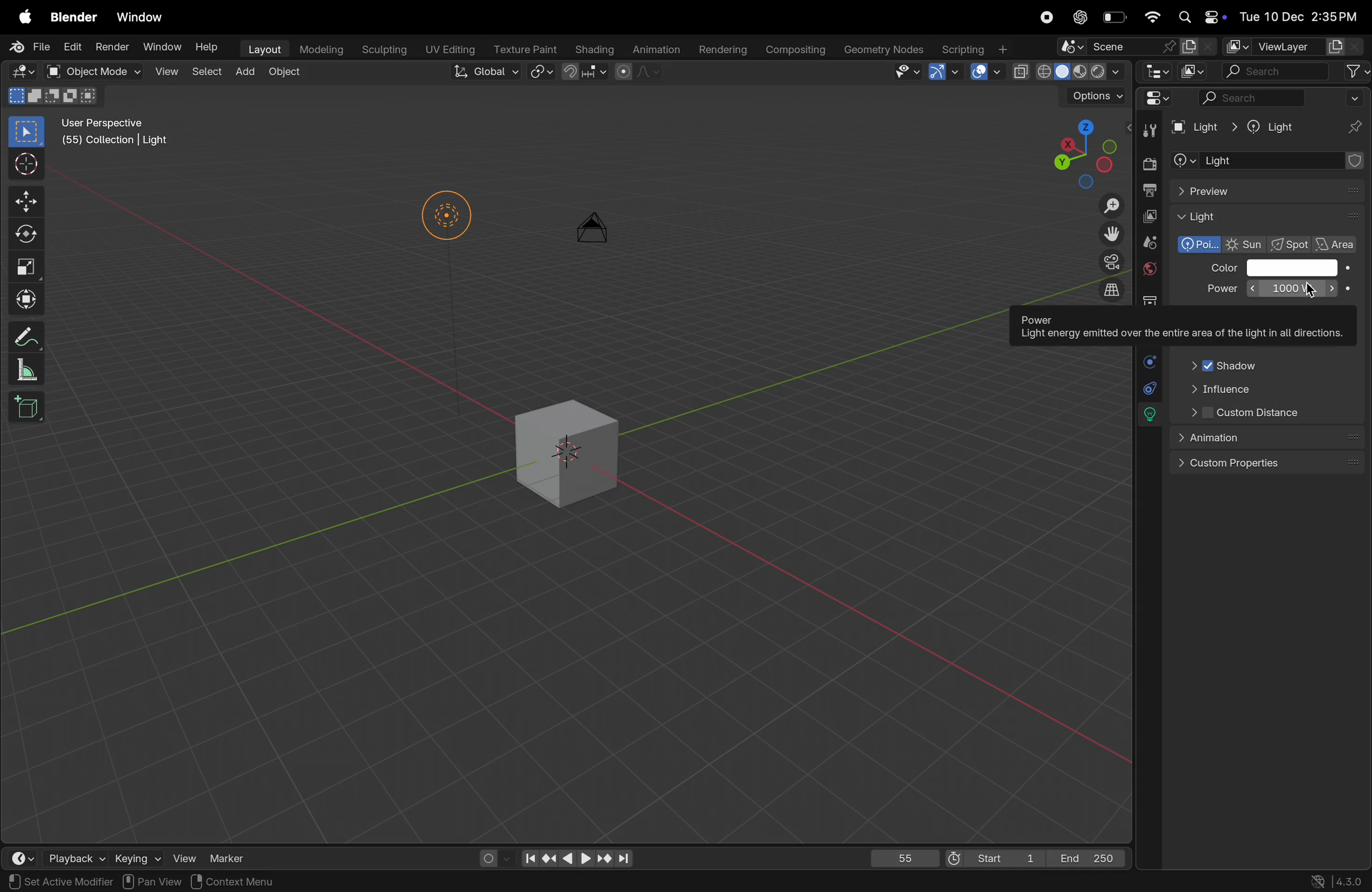  What do you see at coordinates (383, 48) in the screenshot?
I see `sculptiong` at bounding box center [383, 48].